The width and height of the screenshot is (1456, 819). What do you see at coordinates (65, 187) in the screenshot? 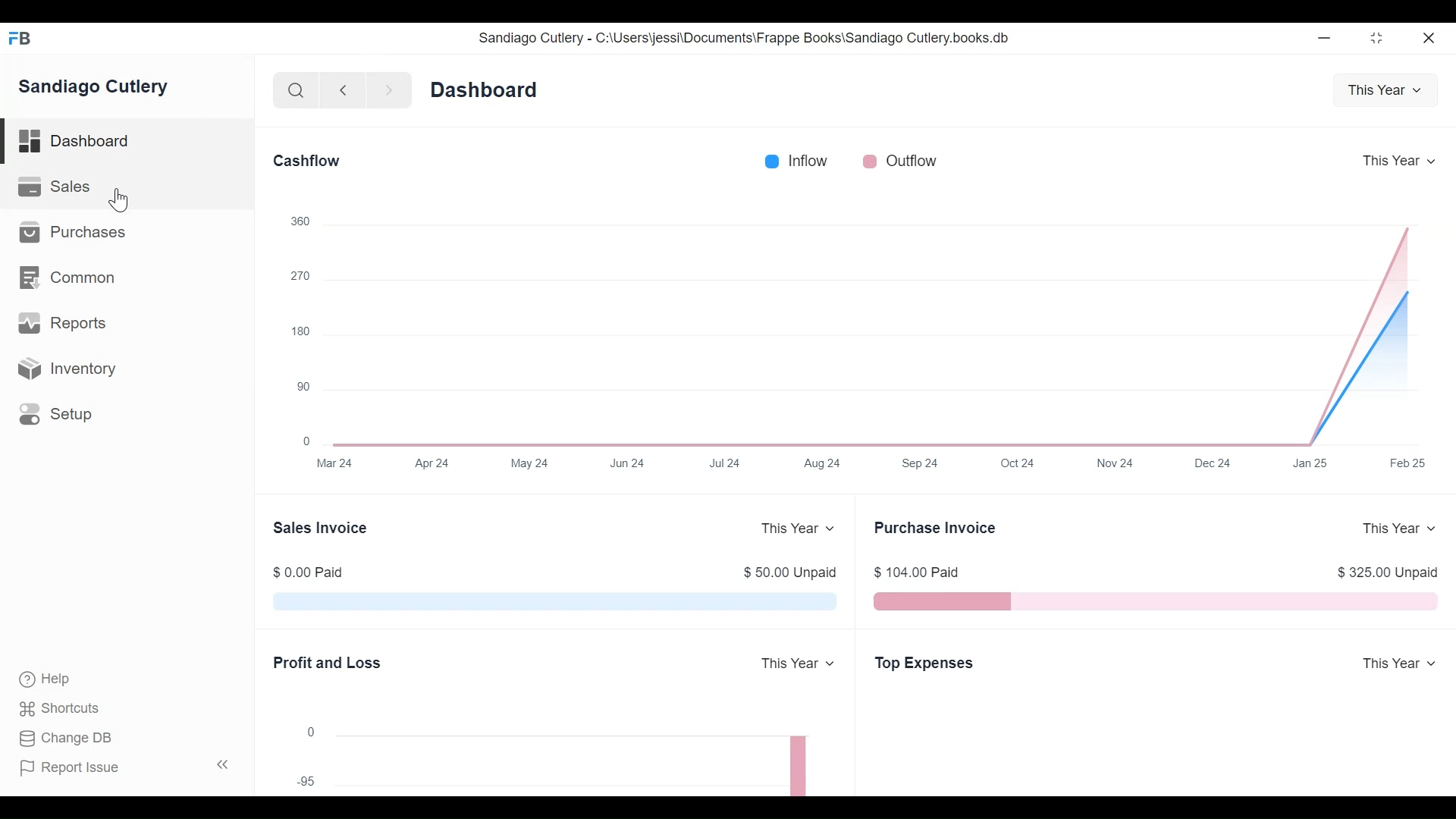
I see `Sales` at bounding box center [65, 187].